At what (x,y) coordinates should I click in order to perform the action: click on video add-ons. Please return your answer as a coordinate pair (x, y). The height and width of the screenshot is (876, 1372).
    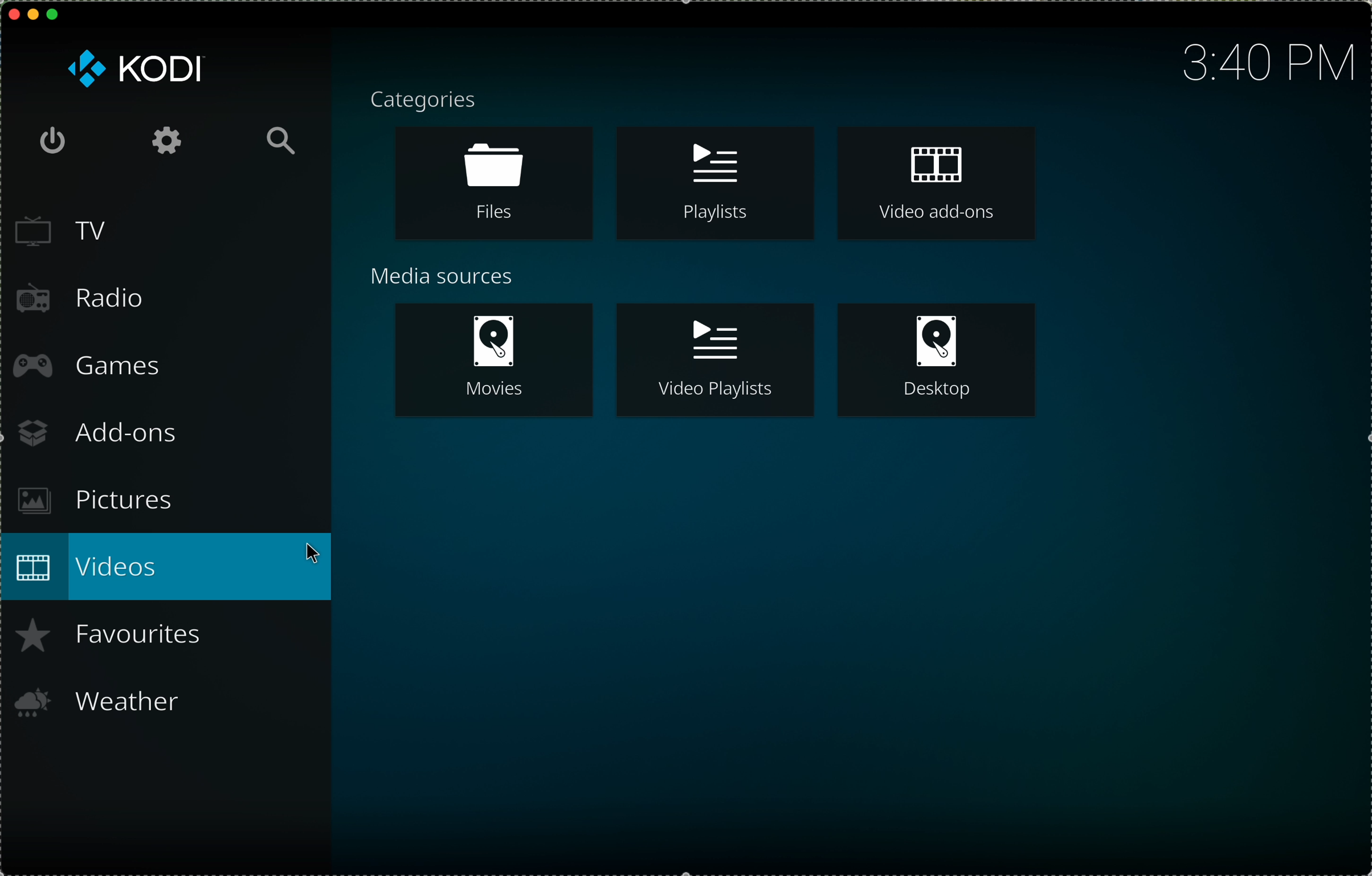
    Looking at the image, I should click on (936, 179).